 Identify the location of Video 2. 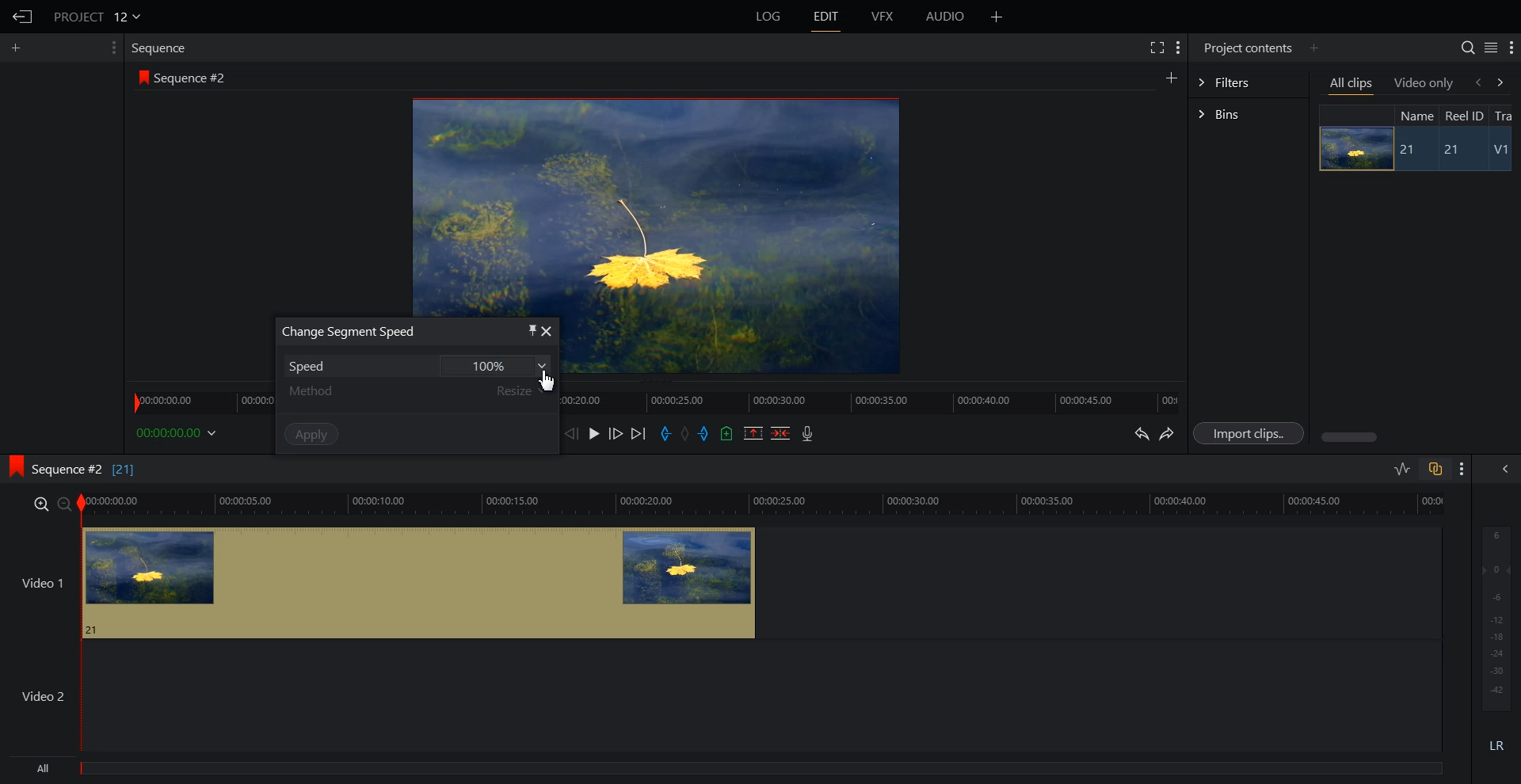
(721, 696).